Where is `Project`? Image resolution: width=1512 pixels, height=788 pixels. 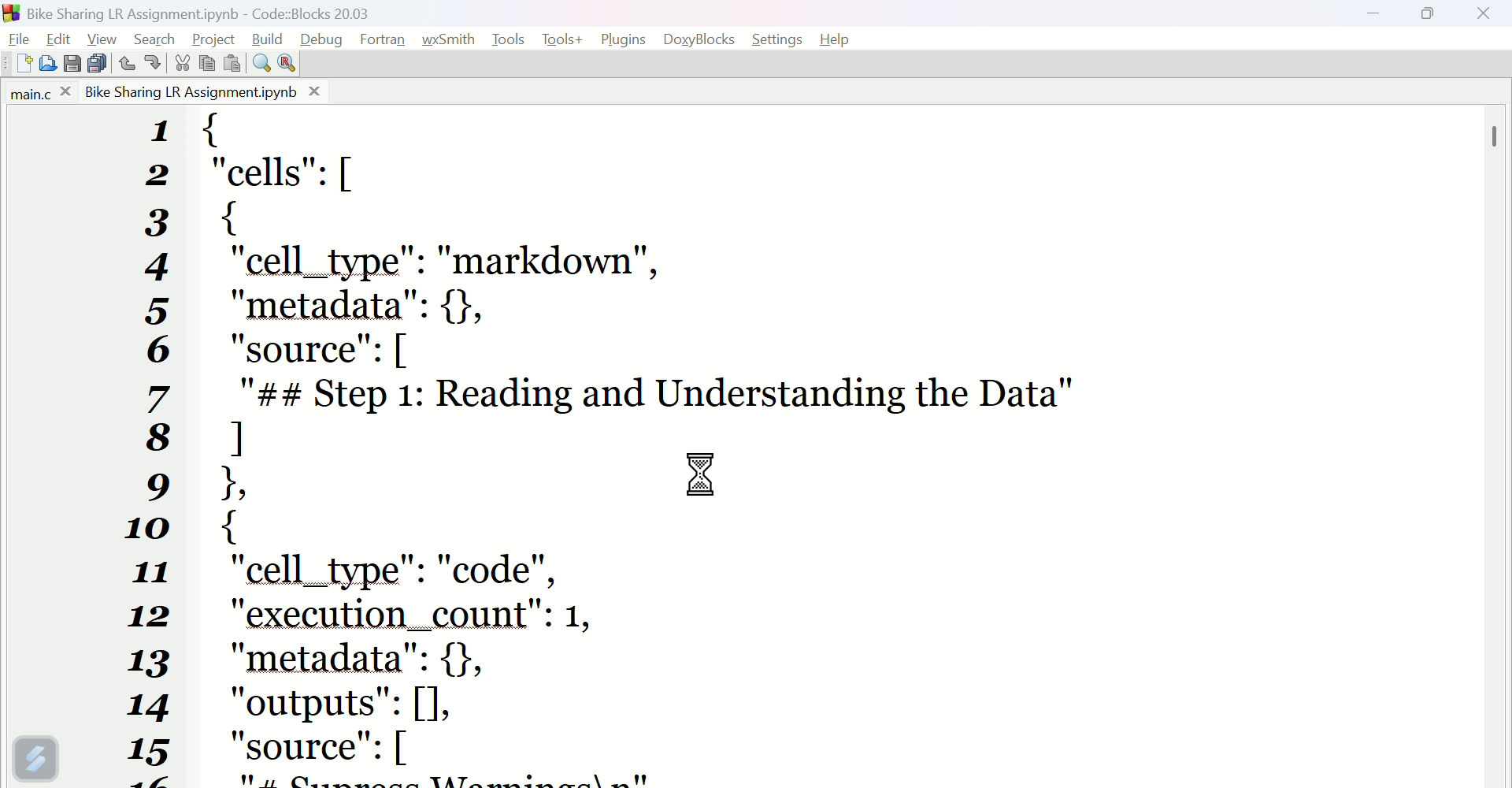
Project is located at coordinates (217, 38).